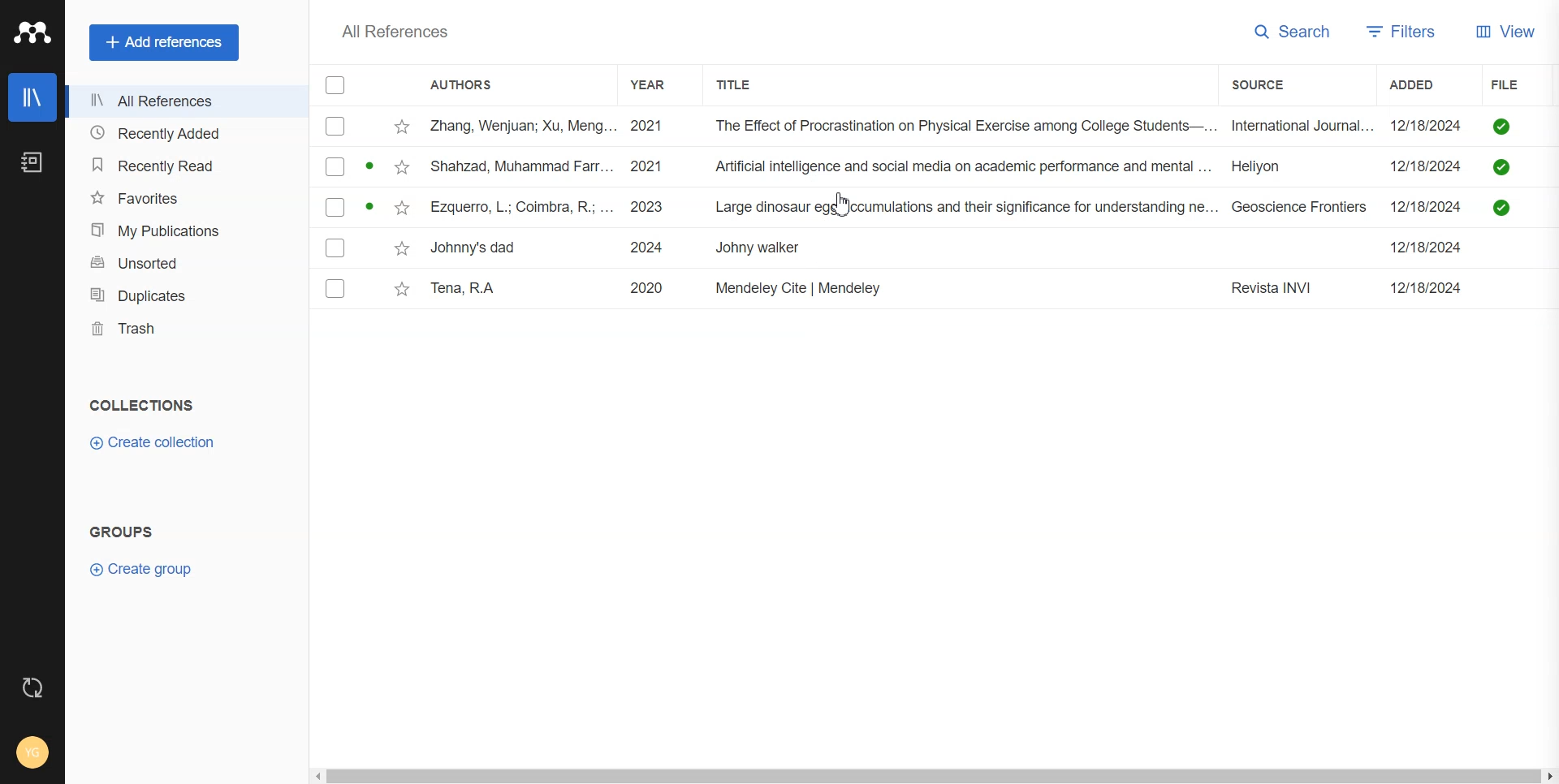 The image size is (1559, 784). Describe the element at coordinates (153, 443) in the screenshot. I see `Create Collection` at that location.